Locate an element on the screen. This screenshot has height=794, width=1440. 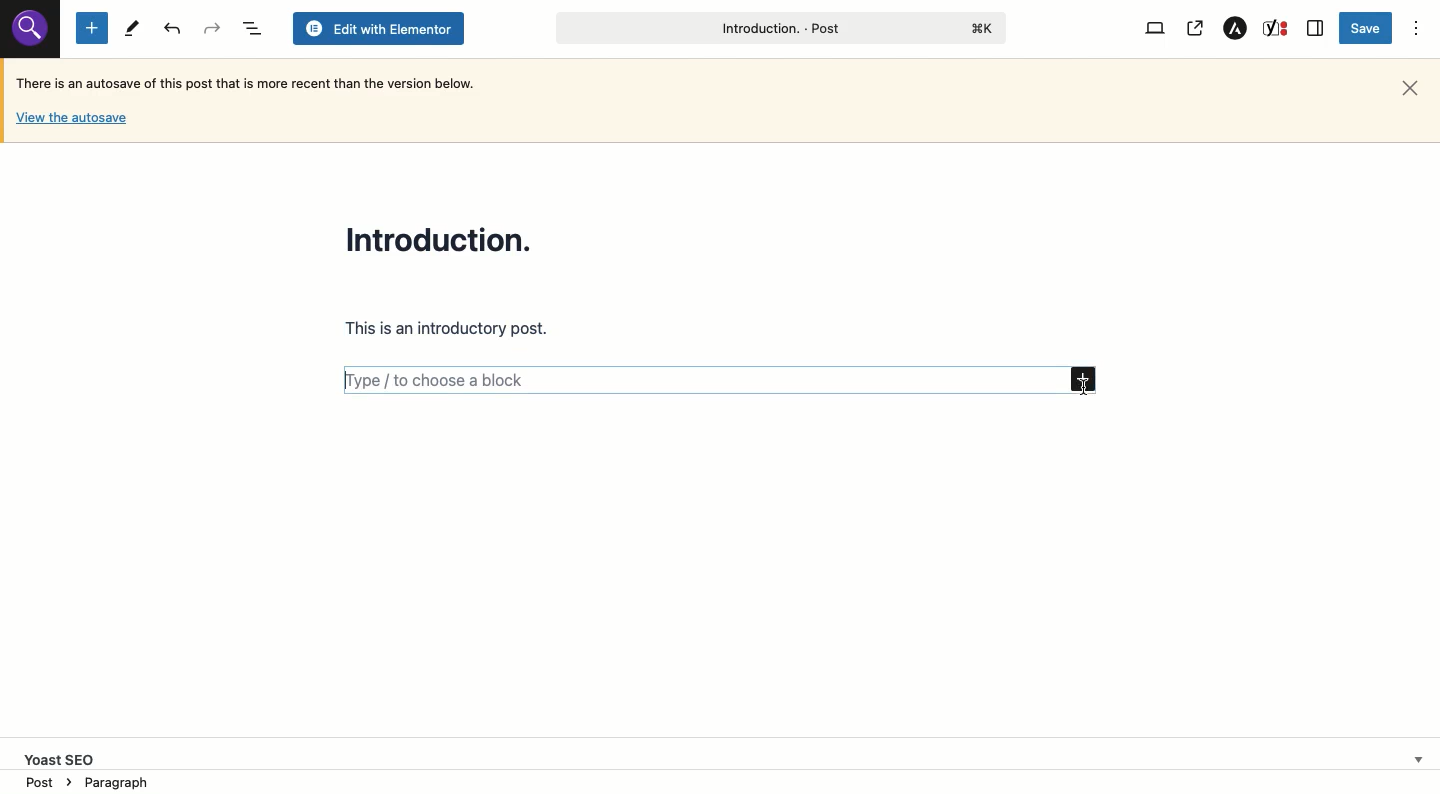
View autosave is located at coordinates (71, 121).